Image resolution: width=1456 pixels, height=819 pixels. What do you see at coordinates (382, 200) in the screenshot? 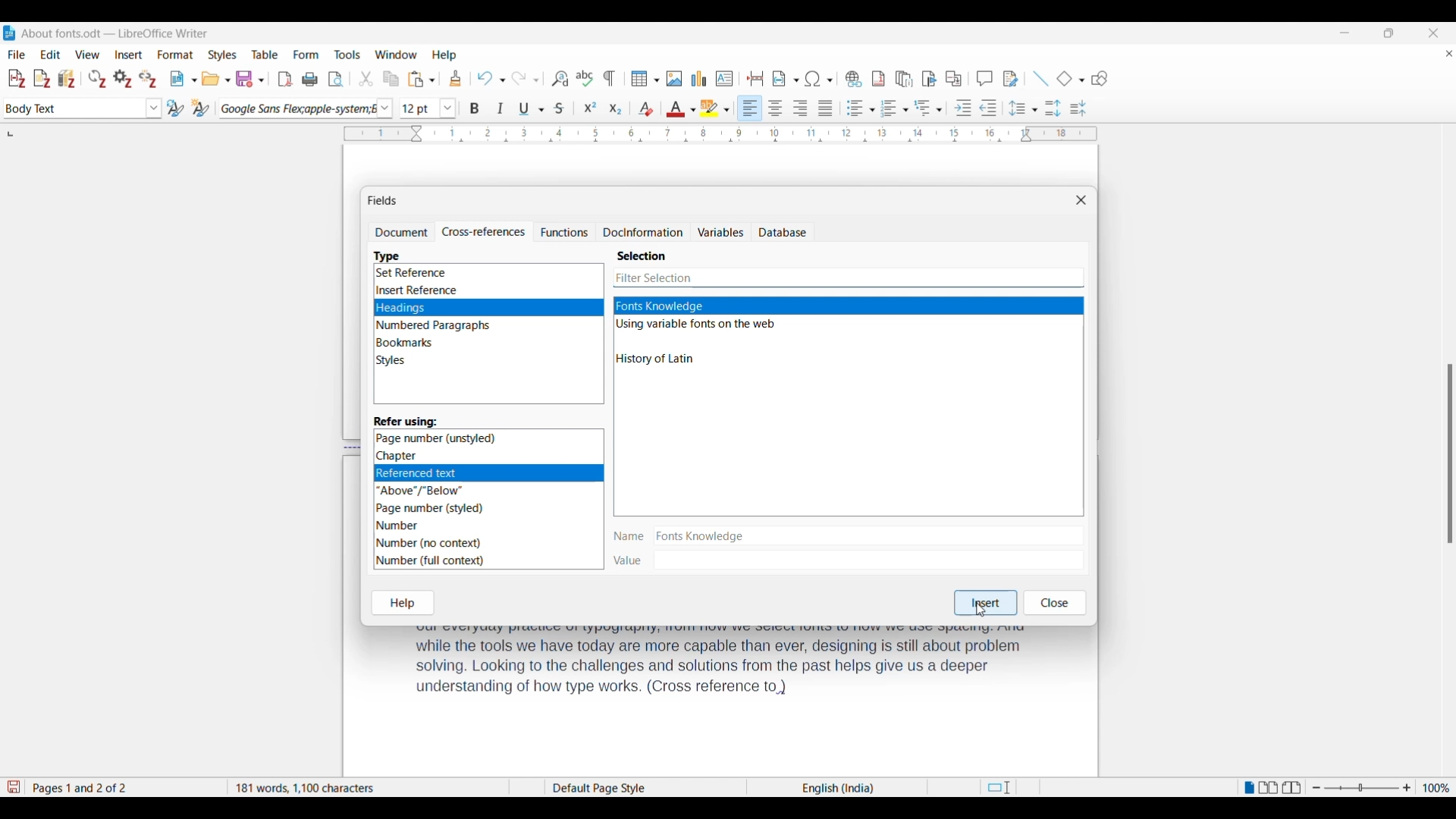
I see `Name of window` at bounding box center [382, 200].